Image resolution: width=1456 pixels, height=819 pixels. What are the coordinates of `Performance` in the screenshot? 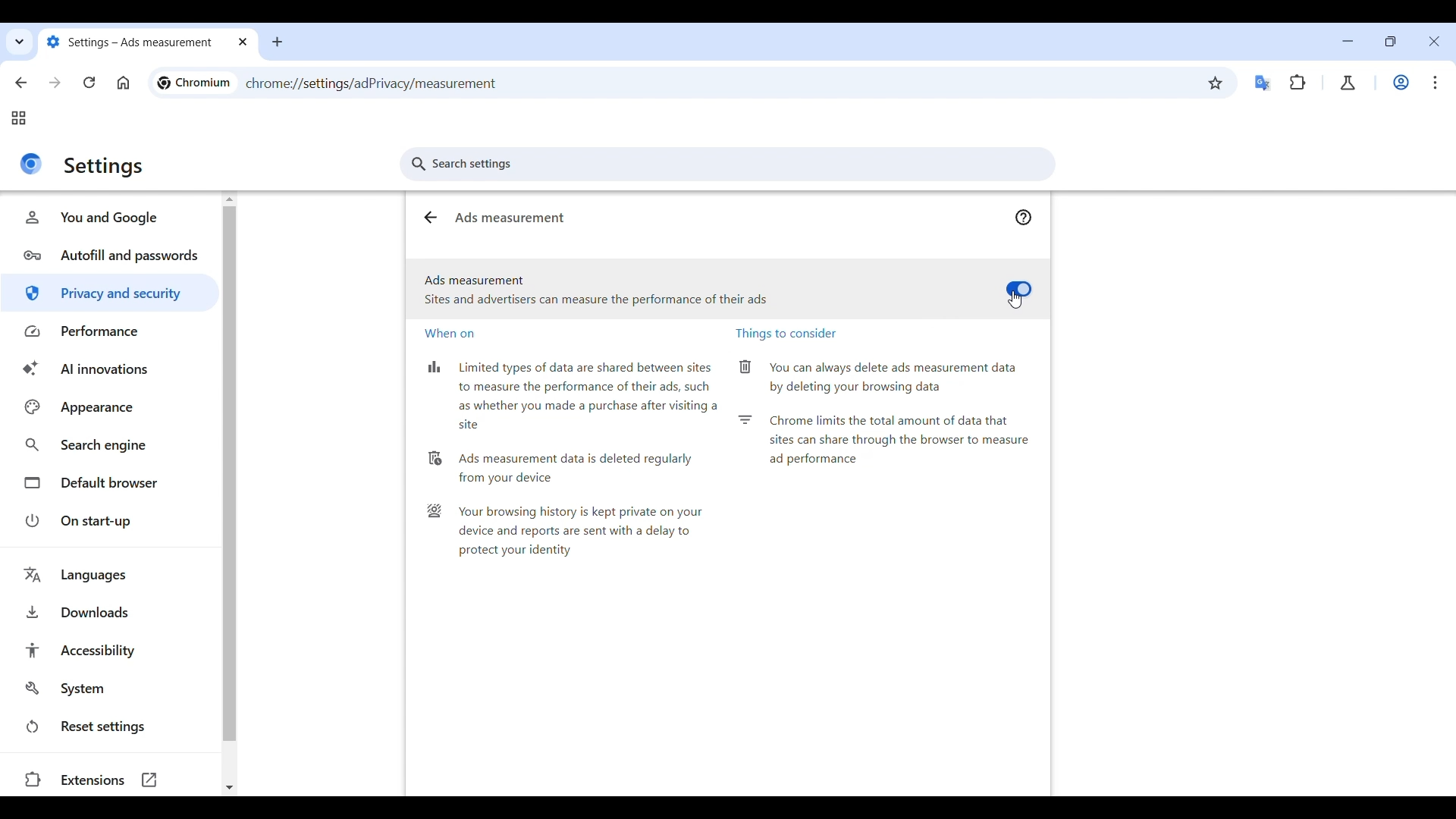 It's located at (111, 332).